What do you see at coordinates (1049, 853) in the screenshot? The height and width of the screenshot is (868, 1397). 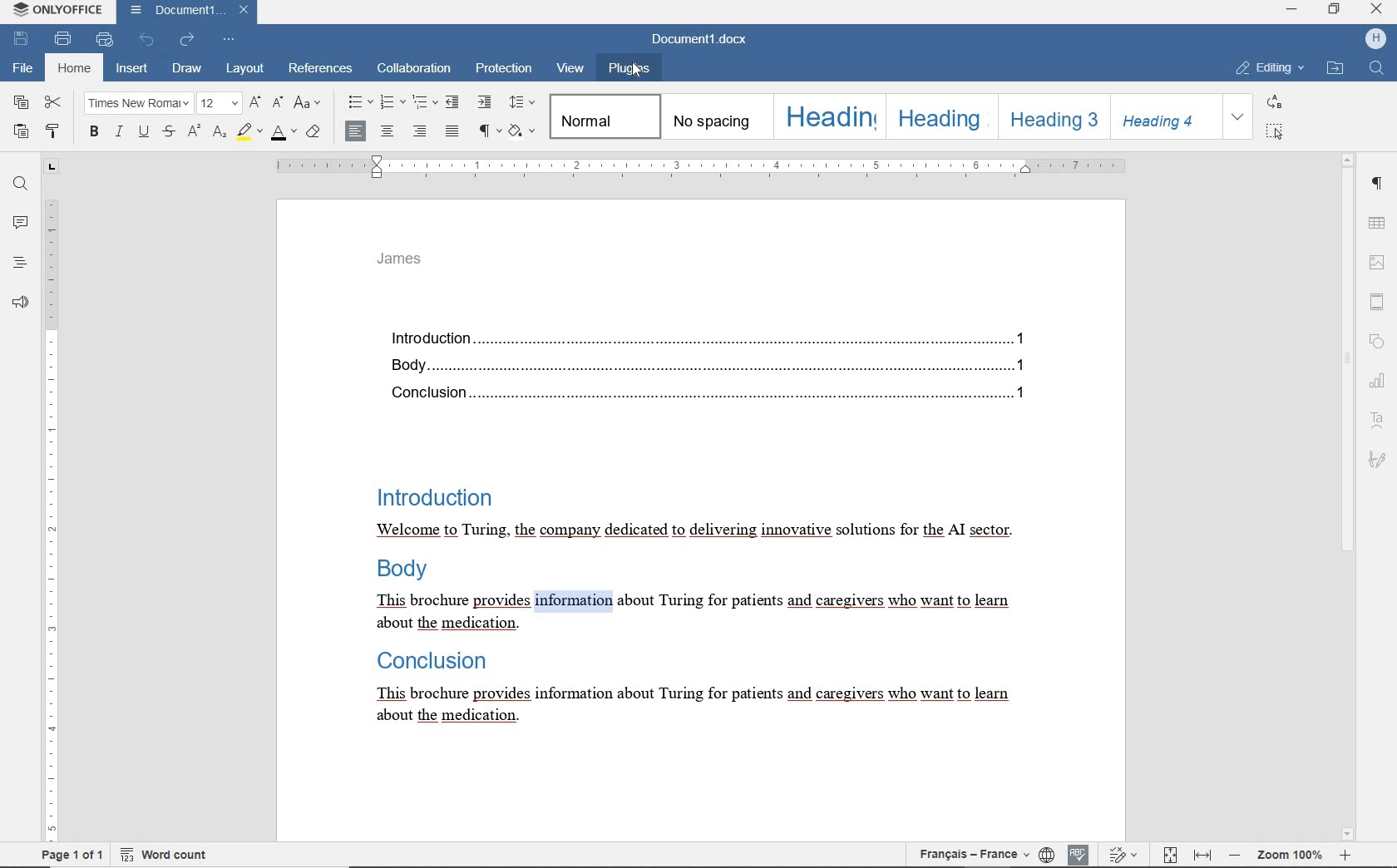 I see `SET DOCUMENT LANGUAGE` at bounding box center [1049, 853].